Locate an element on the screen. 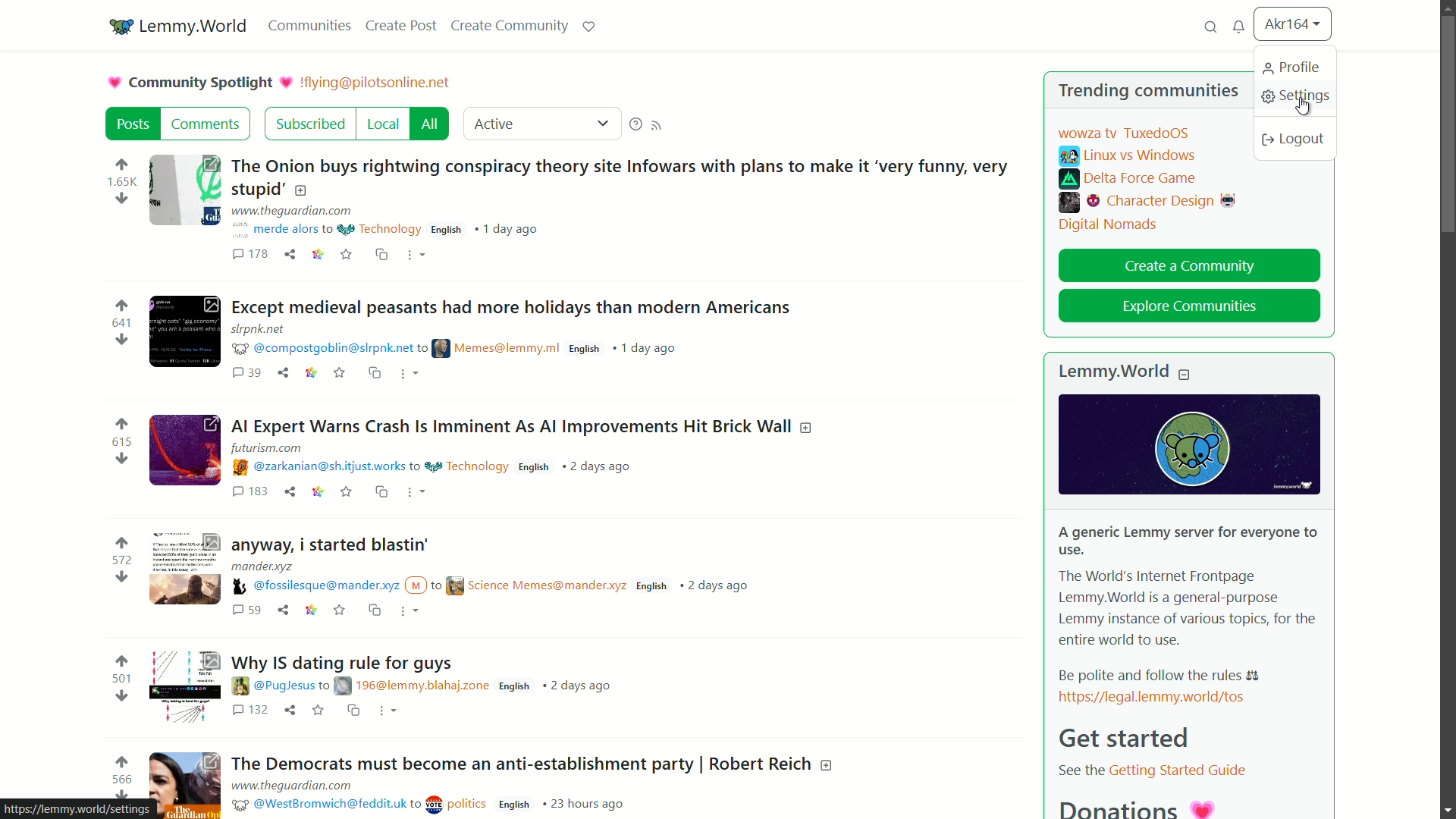 This screenshot has width=1456, height=819. character design is located at coordinates (1148, 203).